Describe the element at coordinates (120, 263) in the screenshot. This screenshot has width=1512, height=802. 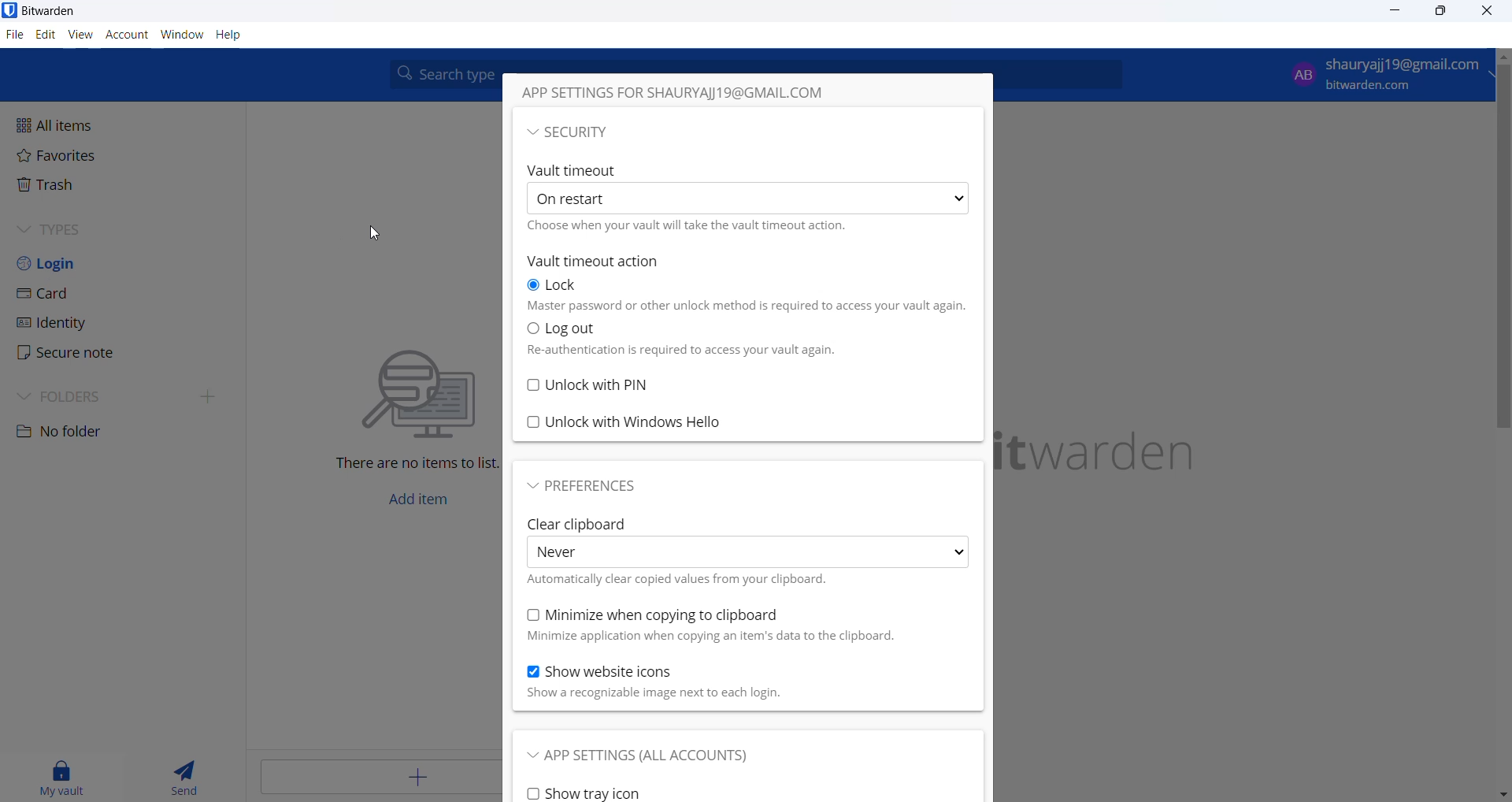
I see `login` at that location.